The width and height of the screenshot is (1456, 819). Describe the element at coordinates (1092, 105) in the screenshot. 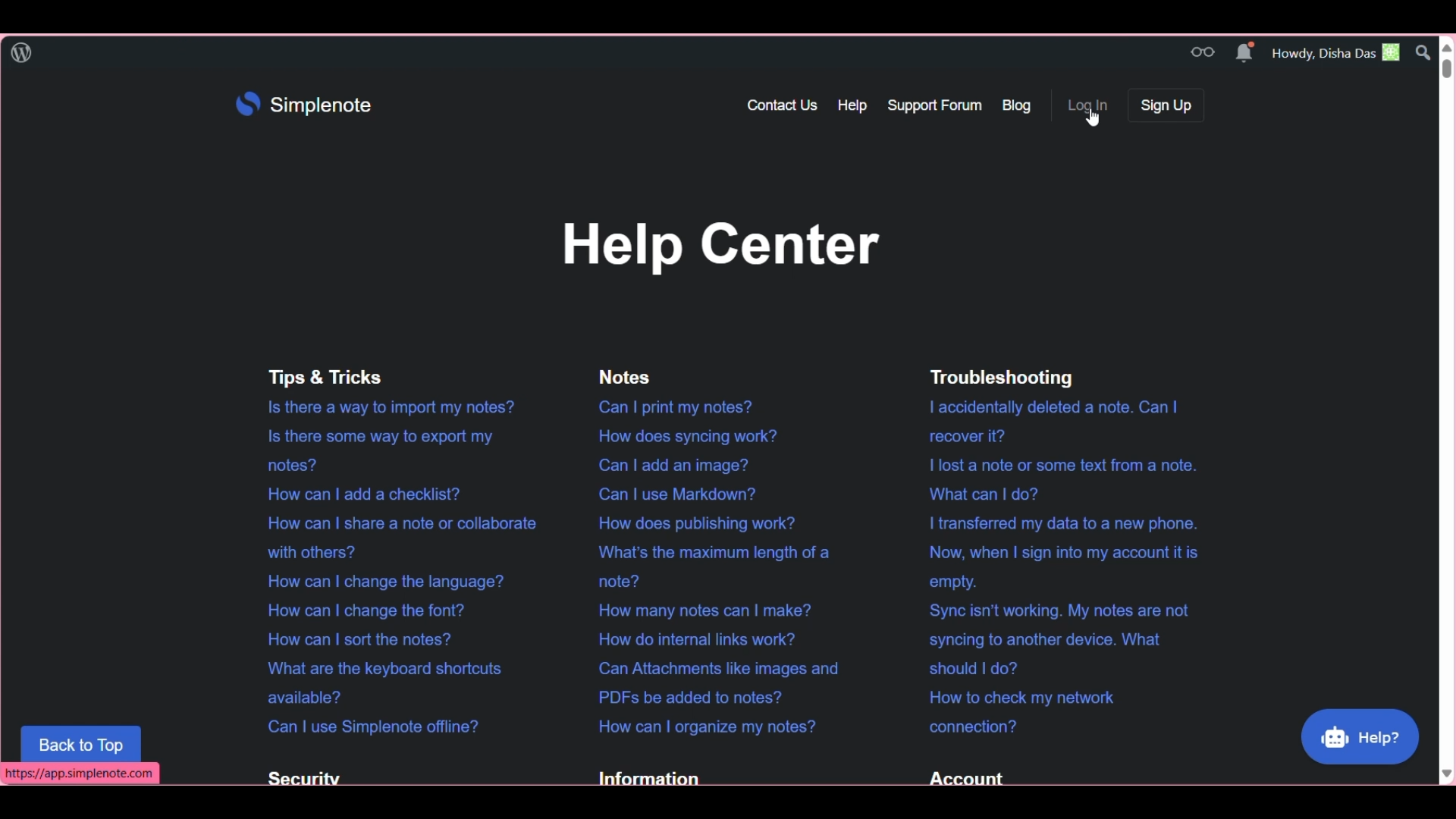

I see `Log in` at that location.